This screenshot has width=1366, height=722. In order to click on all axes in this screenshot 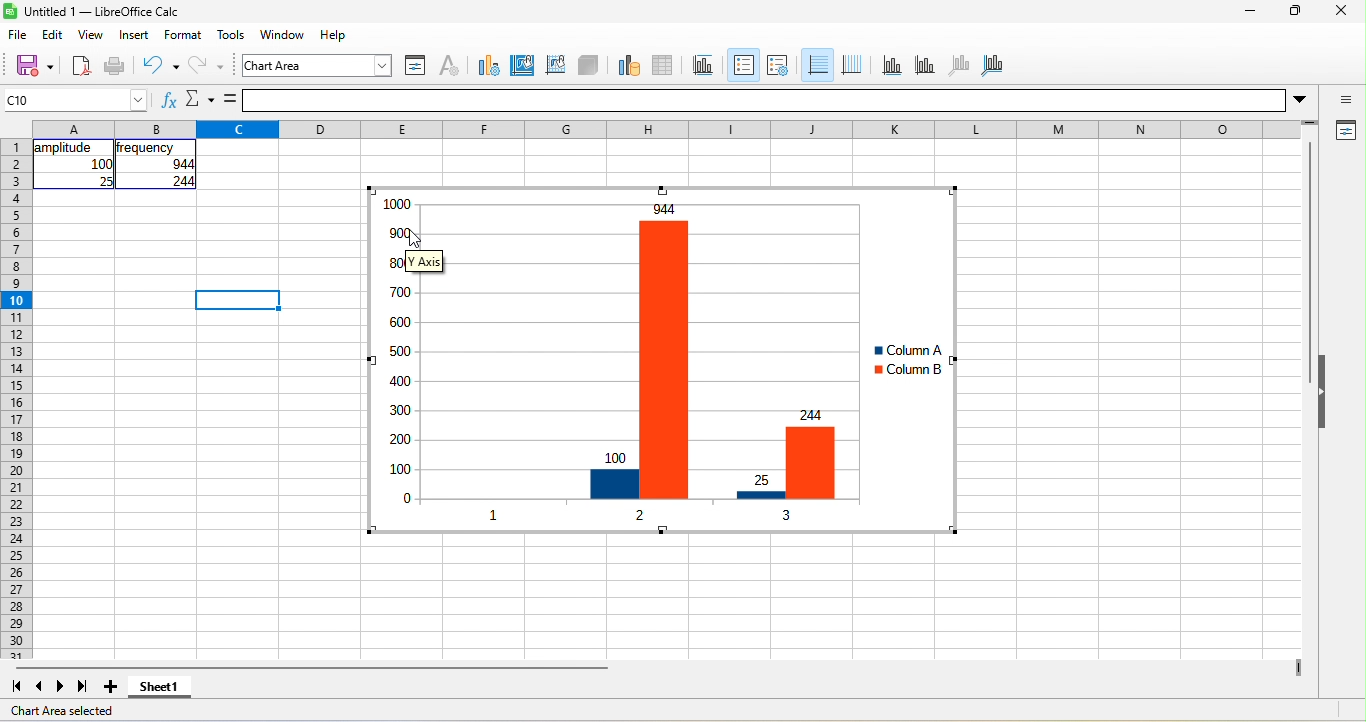, I will do `click(993, 63)`.